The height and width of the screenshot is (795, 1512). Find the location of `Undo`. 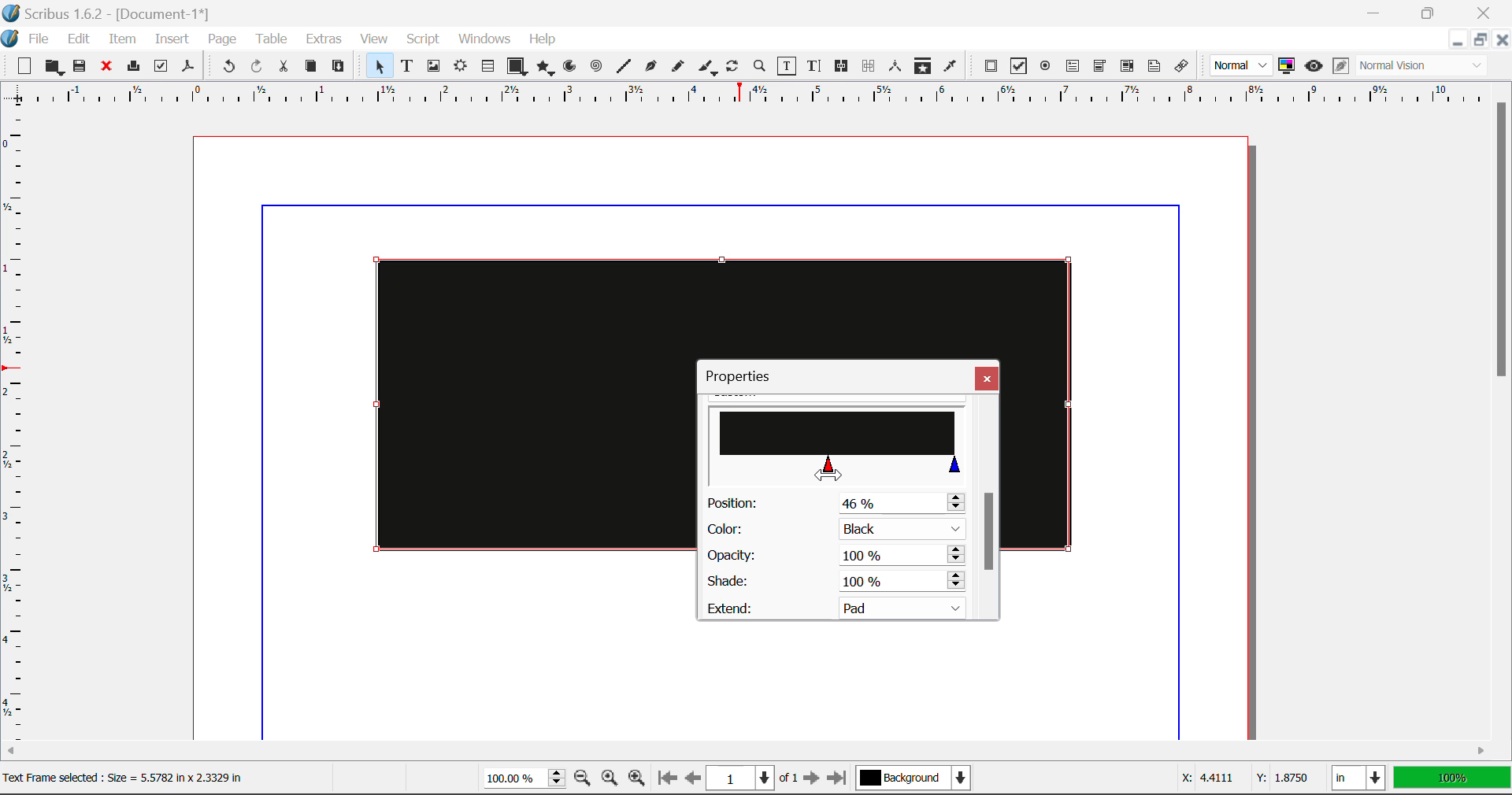

Undo is located at coordinates (228, 68).